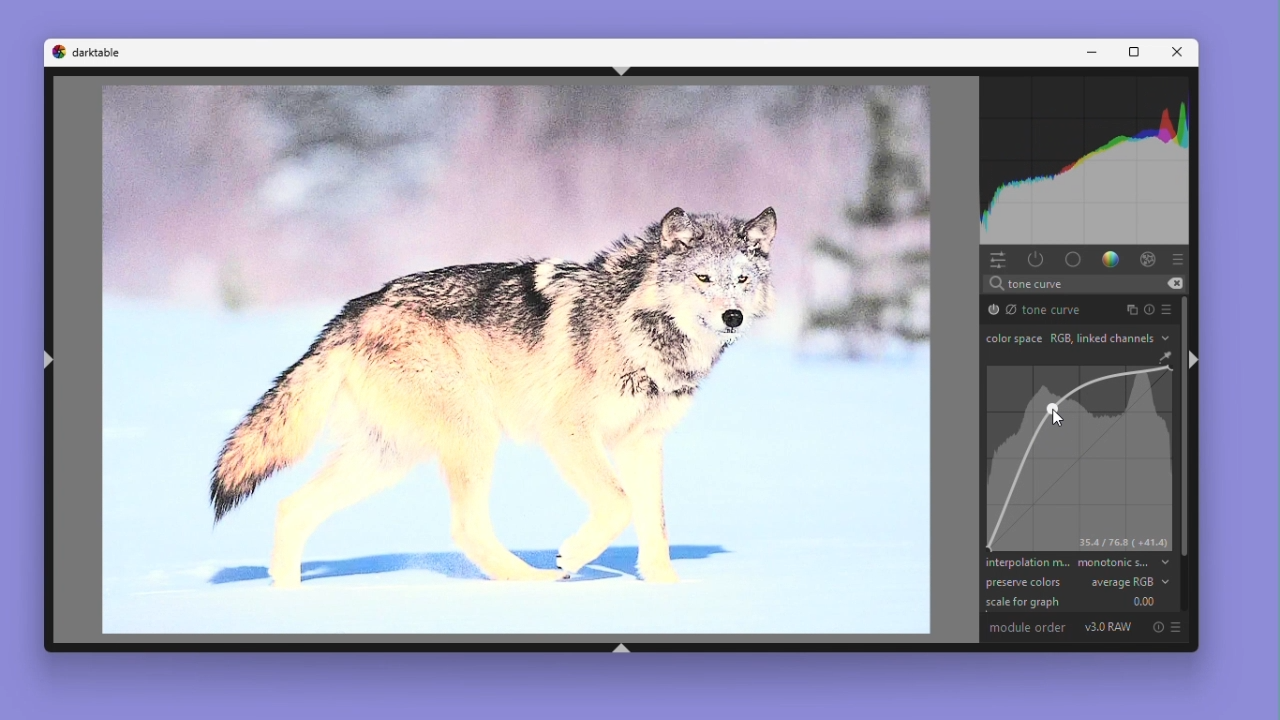 The image size is (1280, 720). Describe the element at coordinates (1176, 627) in the screenshot. I see `preset` at that location.